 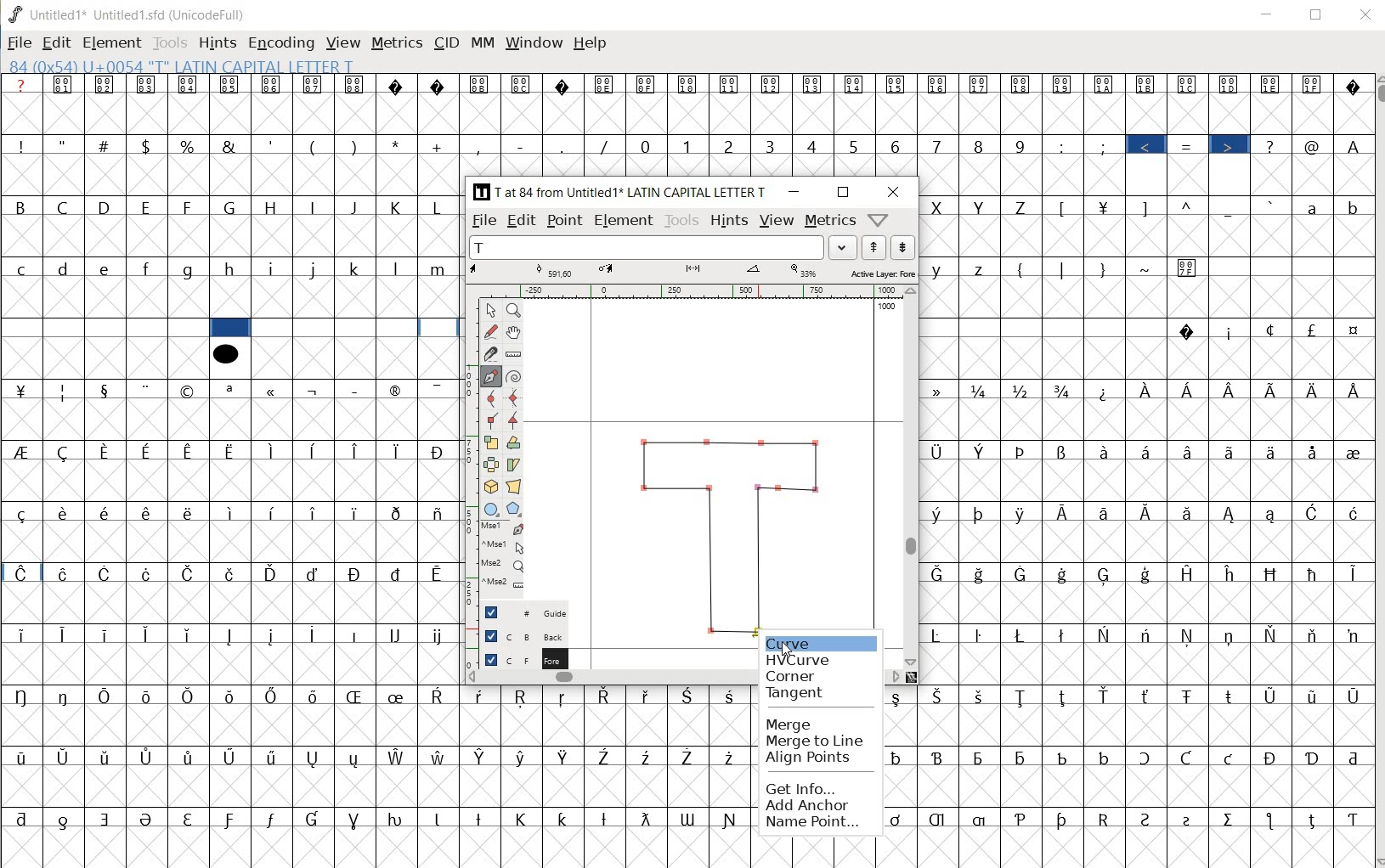 What do you see at coordinates (1313, 636) in the screenshot?
I see `Symbol` at bounding box center [1313, 636].